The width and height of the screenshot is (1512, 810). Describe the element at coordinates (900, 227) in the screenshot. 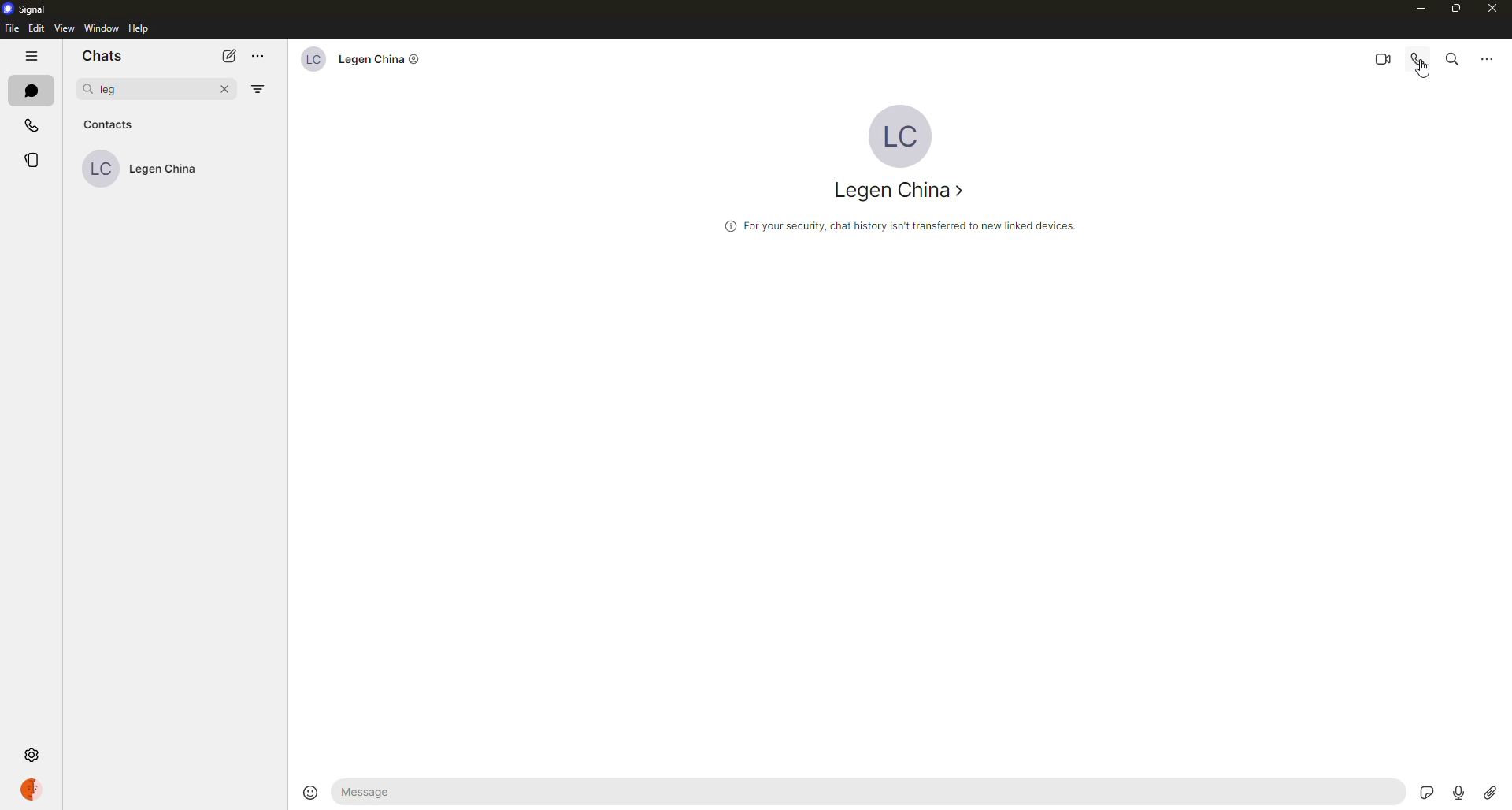

I see `info` at that location.